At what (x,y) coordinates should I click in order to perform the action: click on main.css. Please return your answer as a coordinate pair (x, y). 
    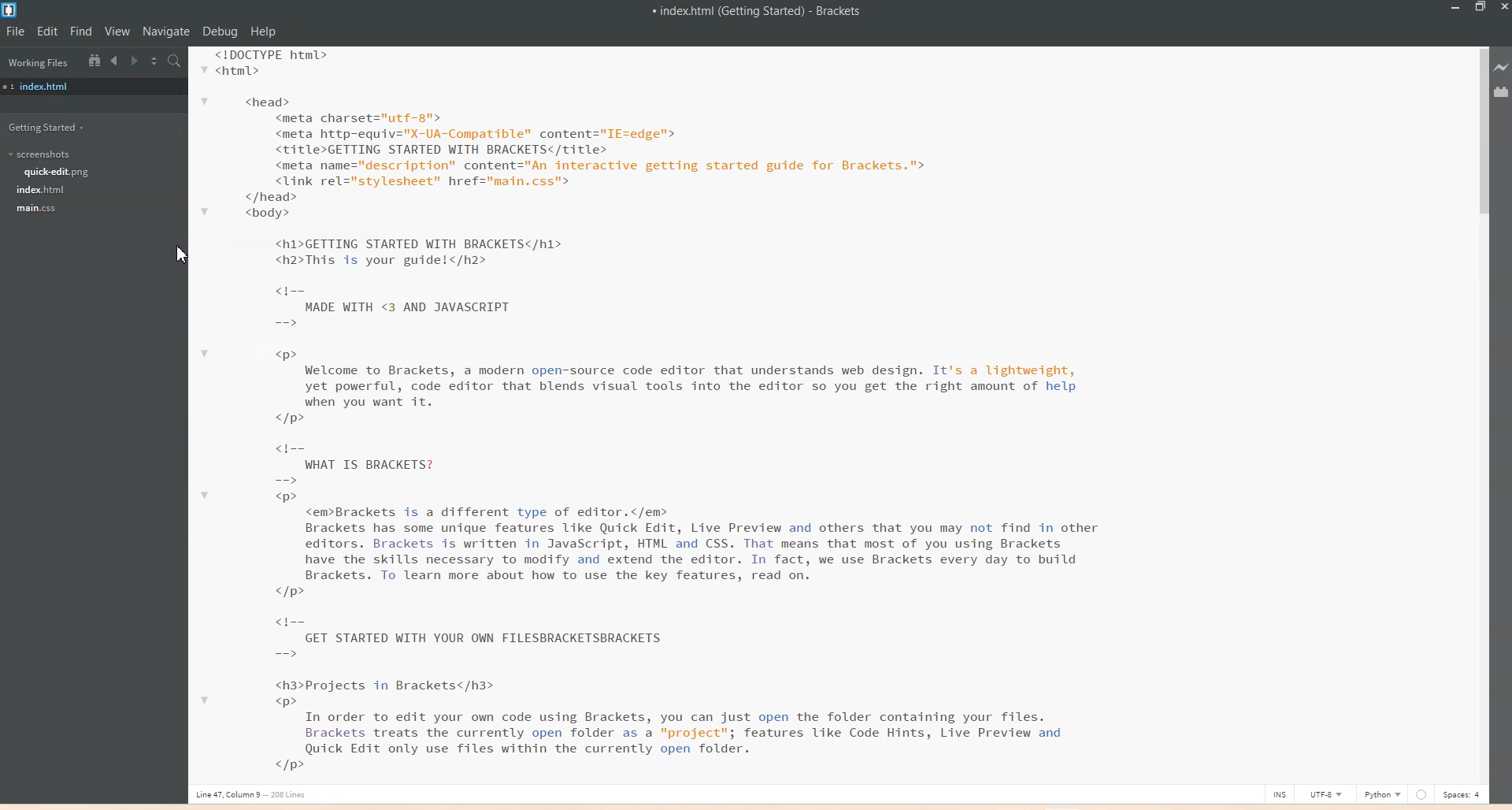
    Looking at the image, I should click on (39, 209).